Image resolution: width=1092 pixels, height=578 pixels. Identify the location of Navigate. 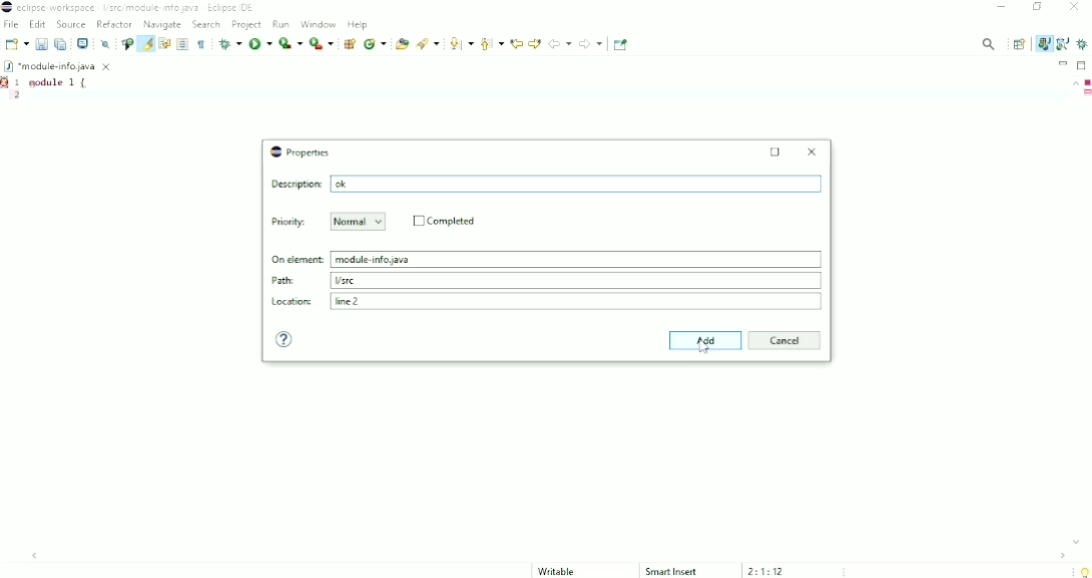
(163, 25).